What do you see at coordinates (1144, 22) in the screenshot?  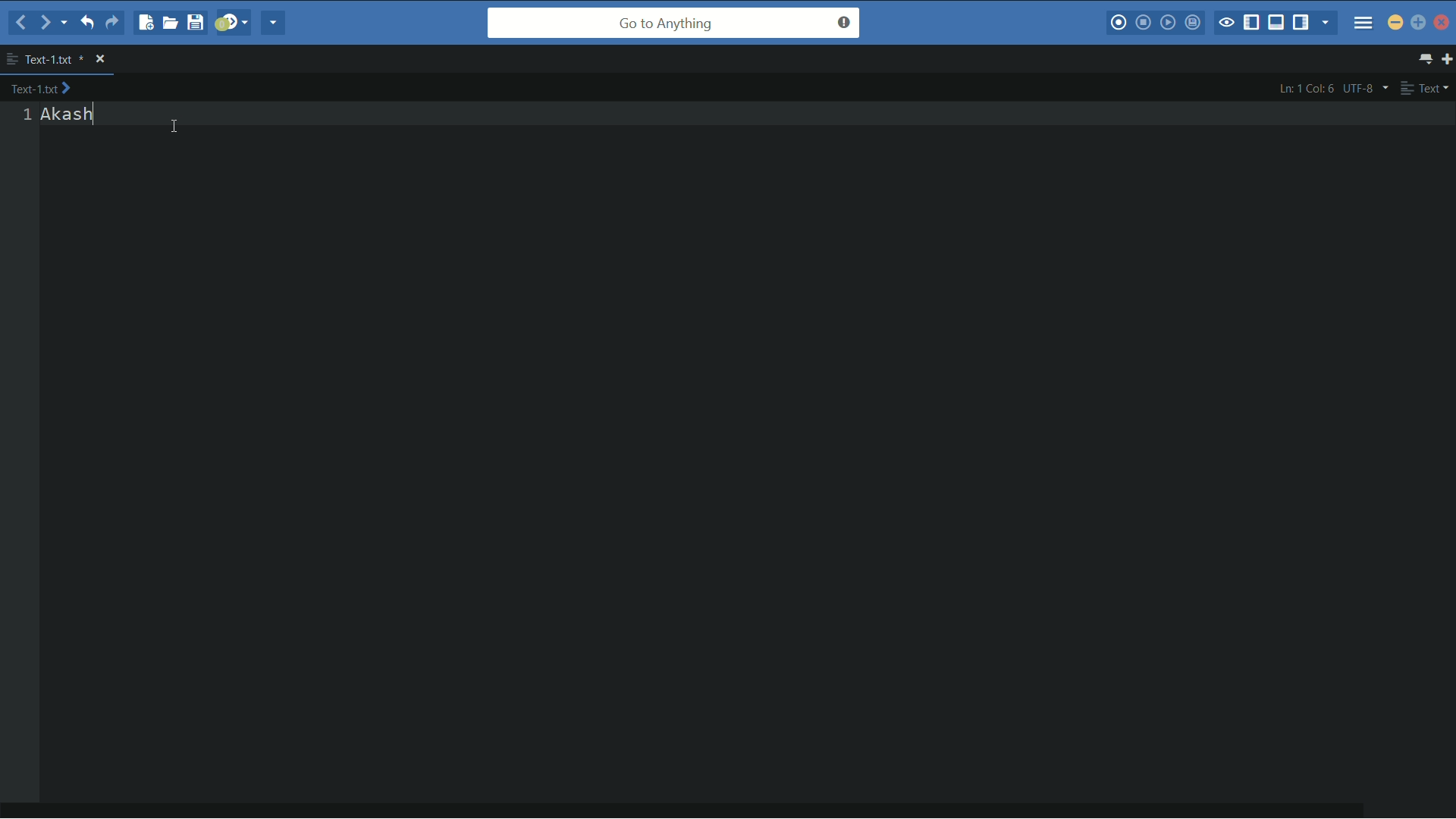 I see `stop macro` at bounding box center [1144, 22].